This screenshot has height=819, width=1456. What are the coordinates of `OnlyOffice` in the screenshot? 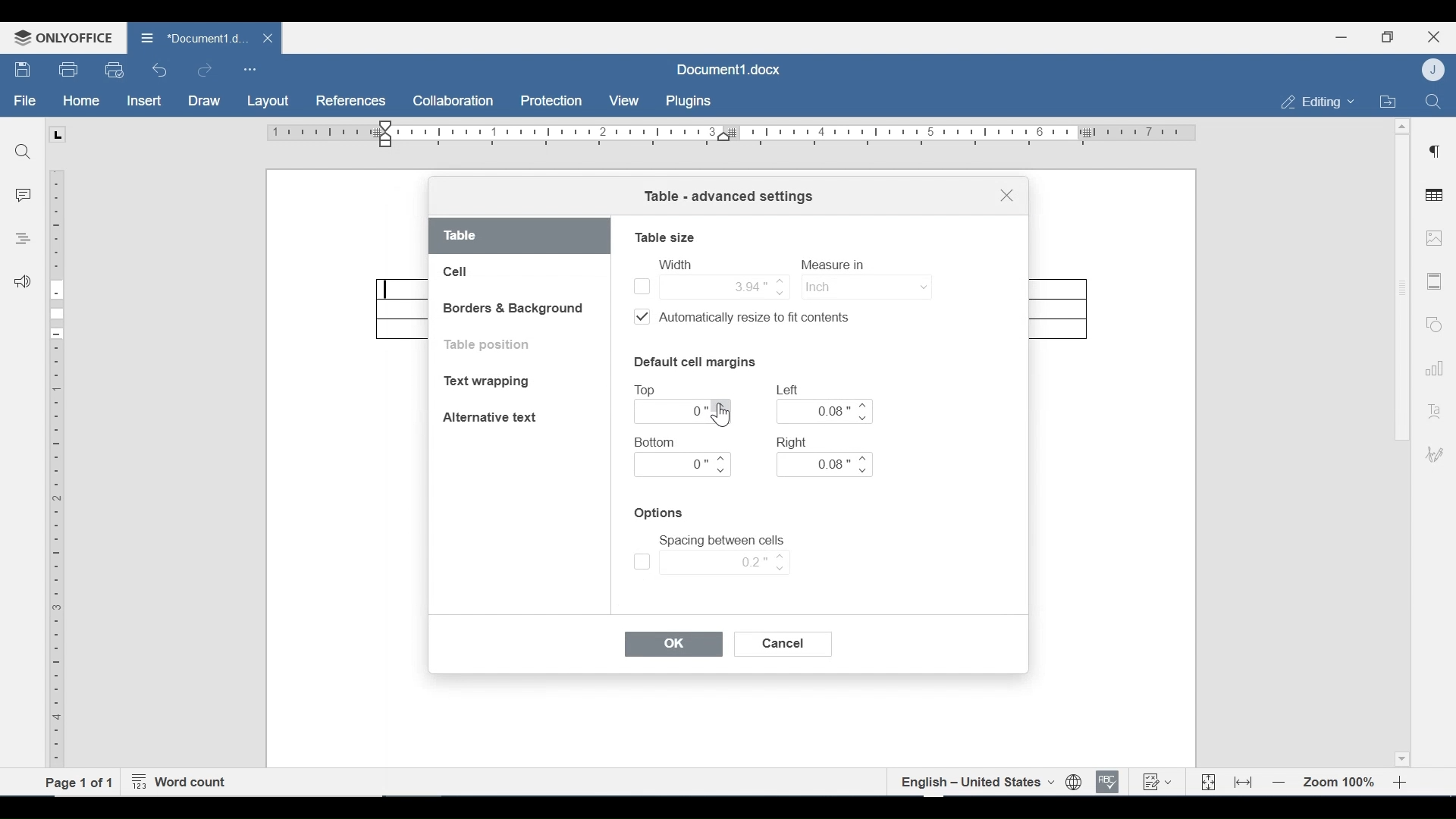 It's located at (61, 37).